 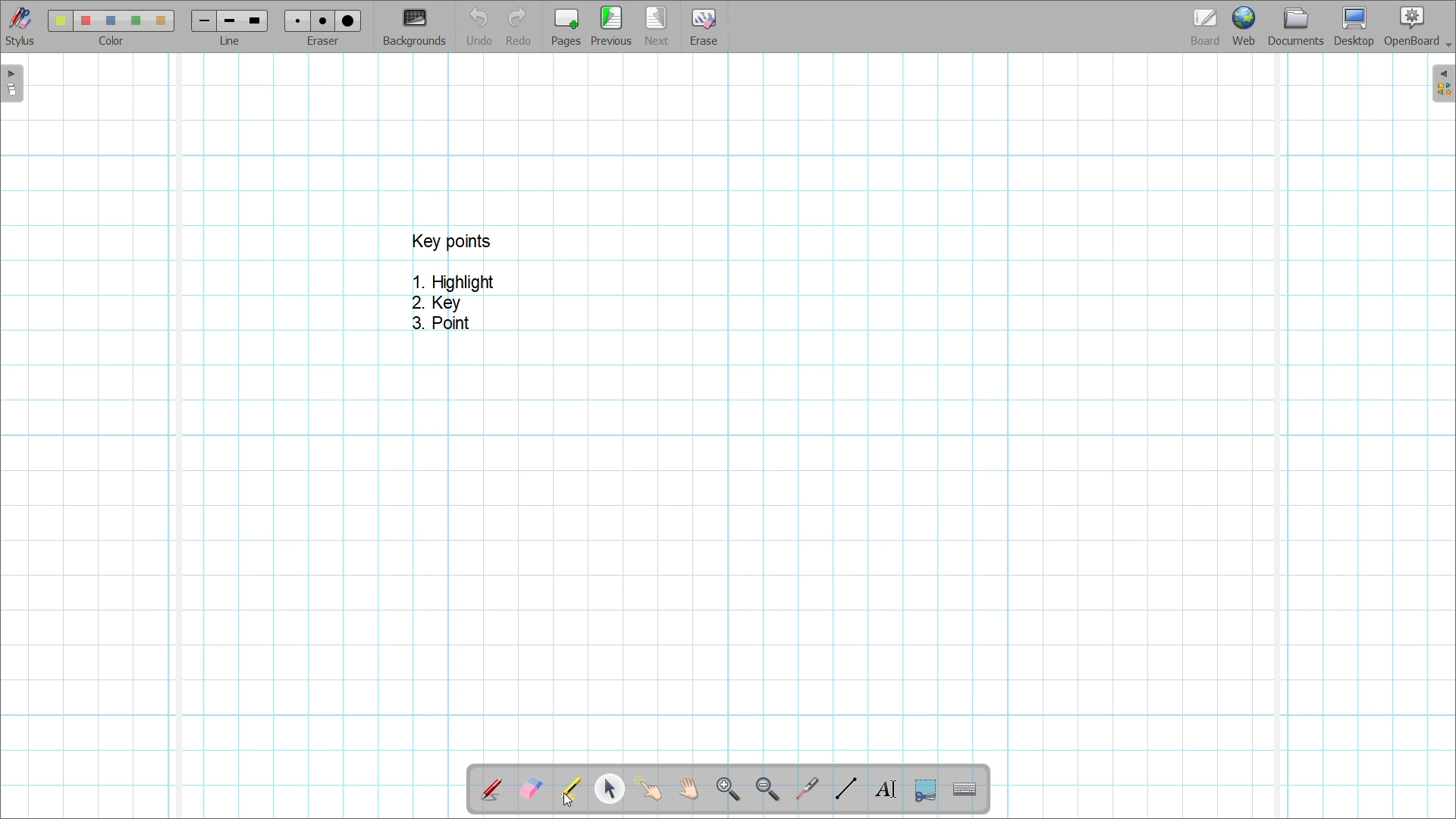 I want to click on Erase annotation, so click(x=532, y=789).